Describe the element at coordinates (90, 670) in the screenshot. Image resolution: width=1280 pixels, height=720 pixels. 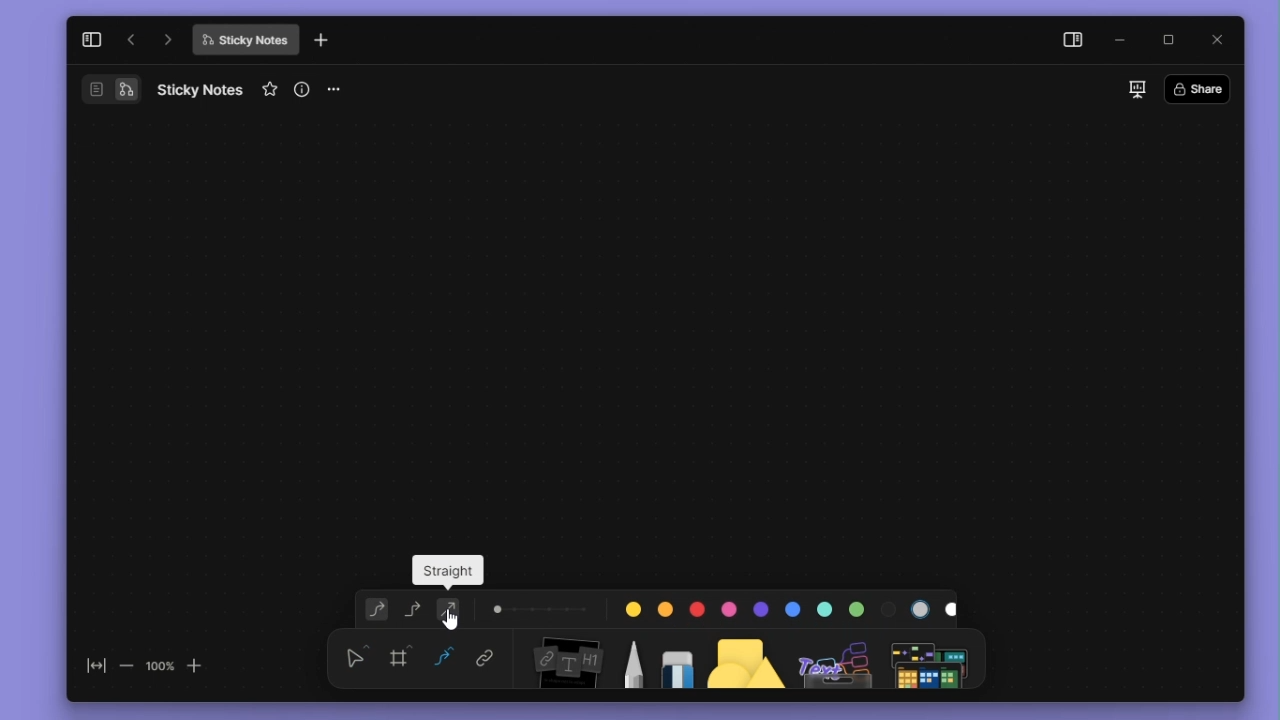
I see `fit to screen` at that location.